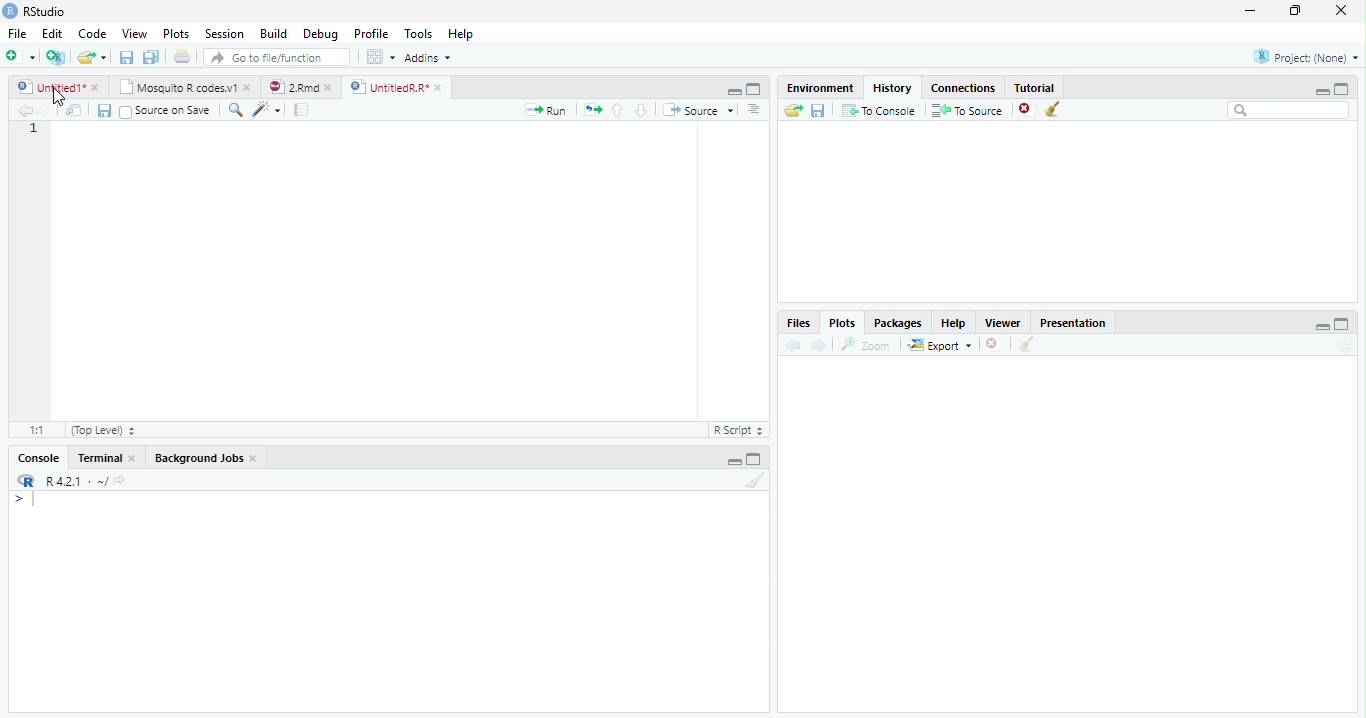 The height and width of the screenshot is (718, 1366). Describe the element at coordinates (176, 34) in the screenshot. I see `Plots` at that location.